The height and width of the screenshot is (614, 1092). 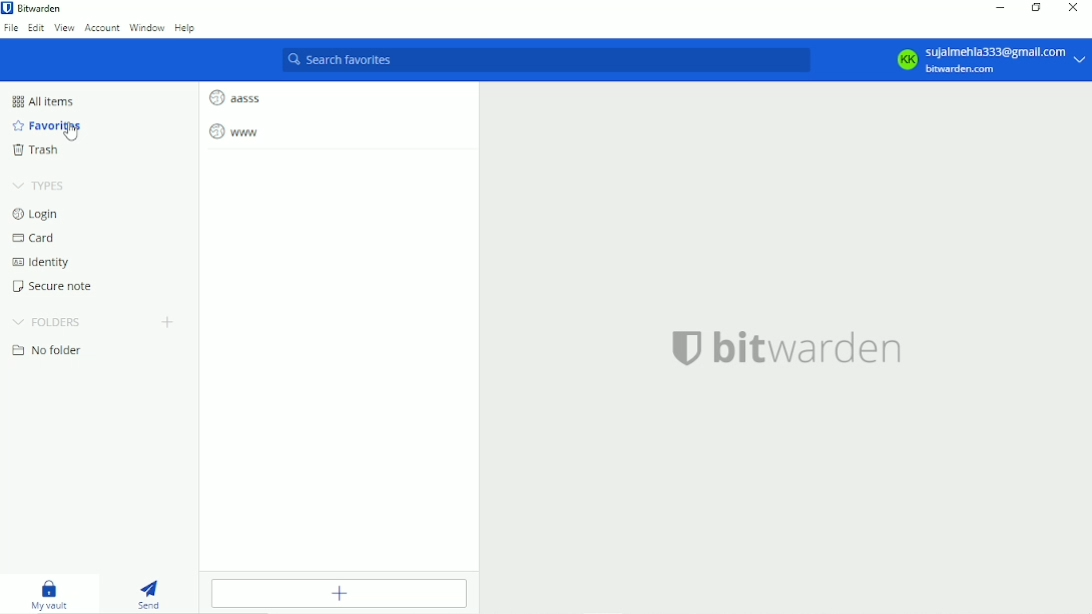 What do you see at coordinates (235, 96) in the screenshot?
I see `aasss` at bounding box center [235, 96].